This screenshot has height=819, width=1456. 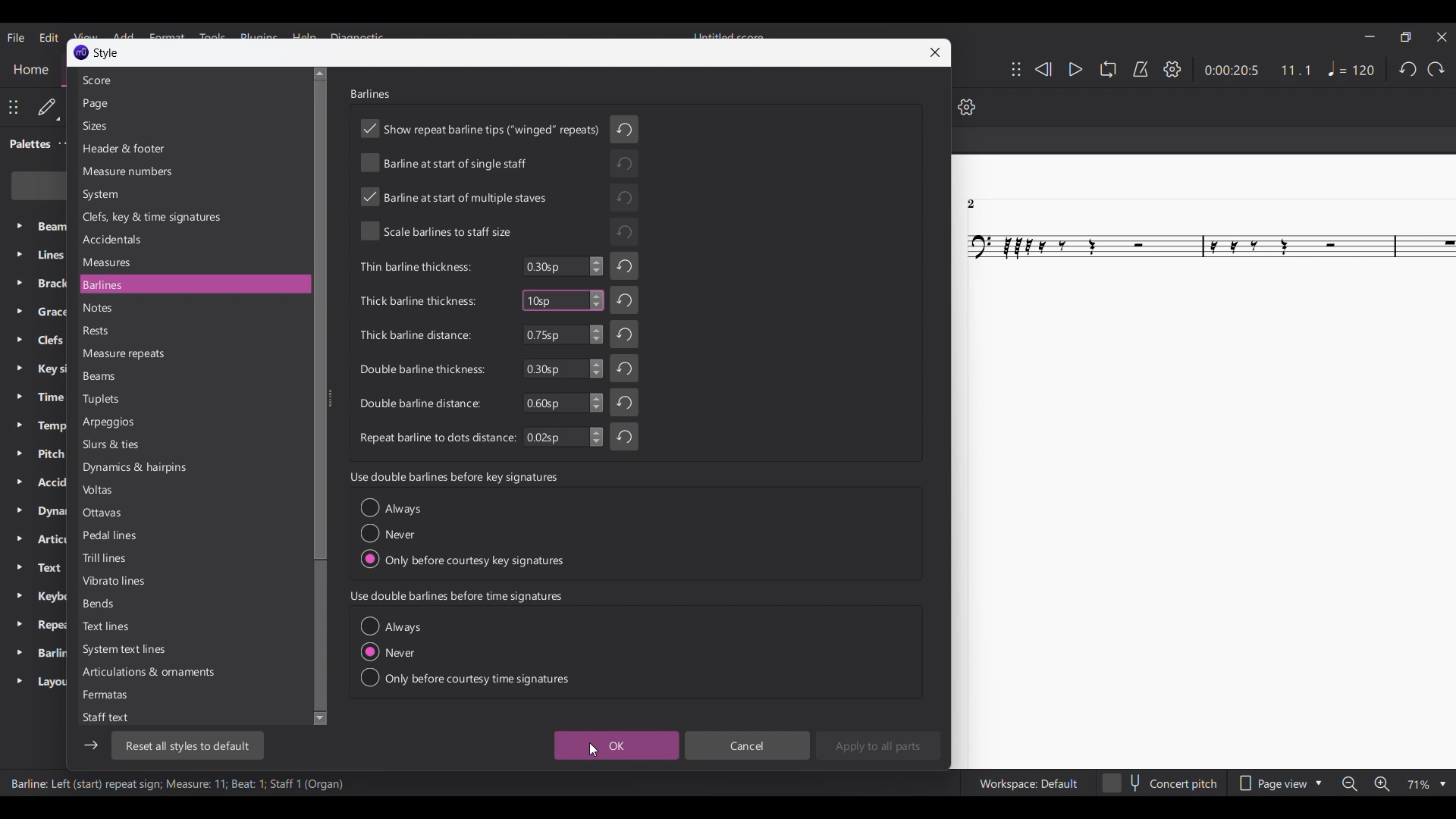 I want to click on Change width of side panel , so click(x=331, y=401).